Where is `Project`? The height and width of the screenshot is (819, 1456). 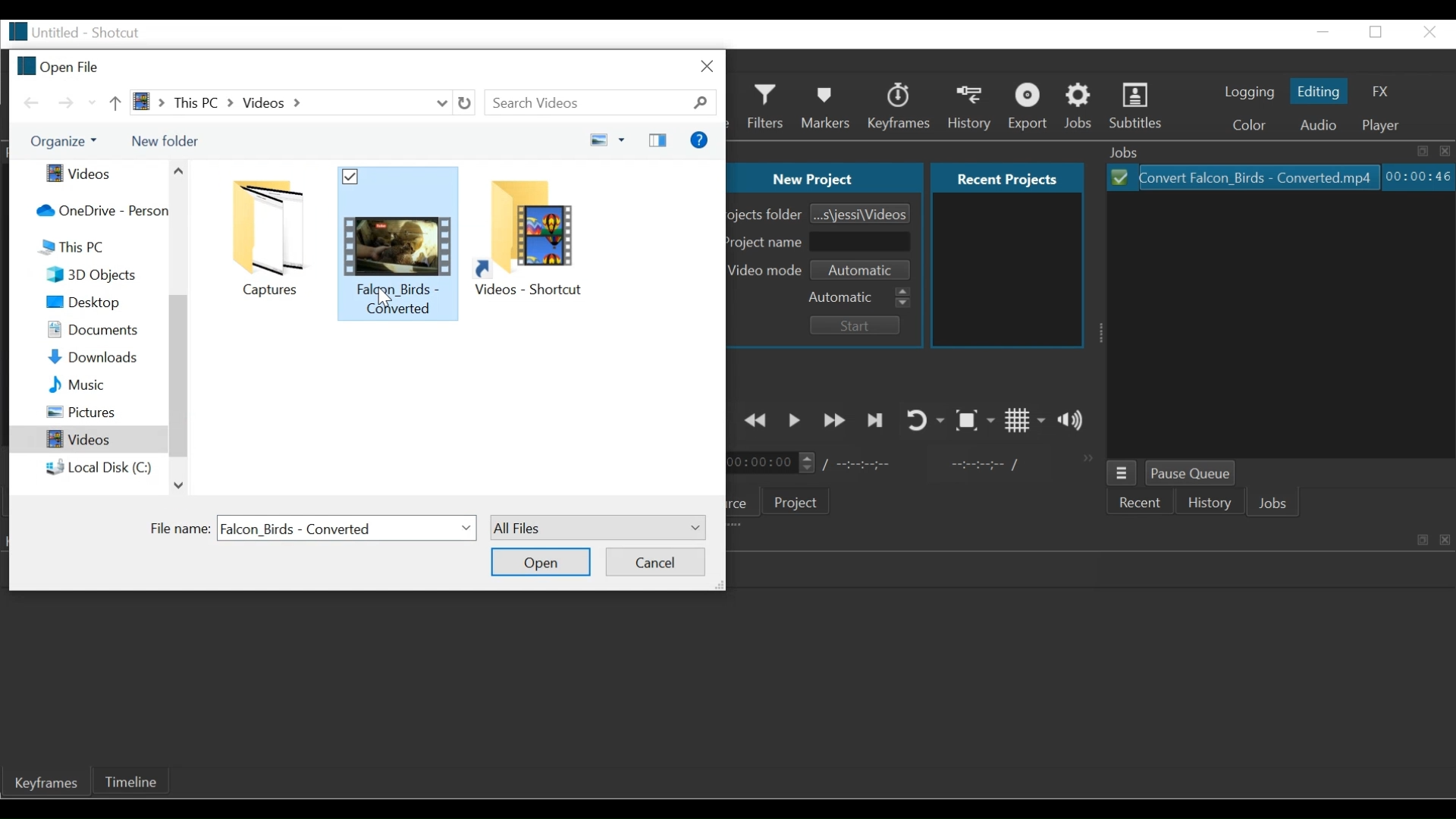
Project is located at coordinates (799, 501).